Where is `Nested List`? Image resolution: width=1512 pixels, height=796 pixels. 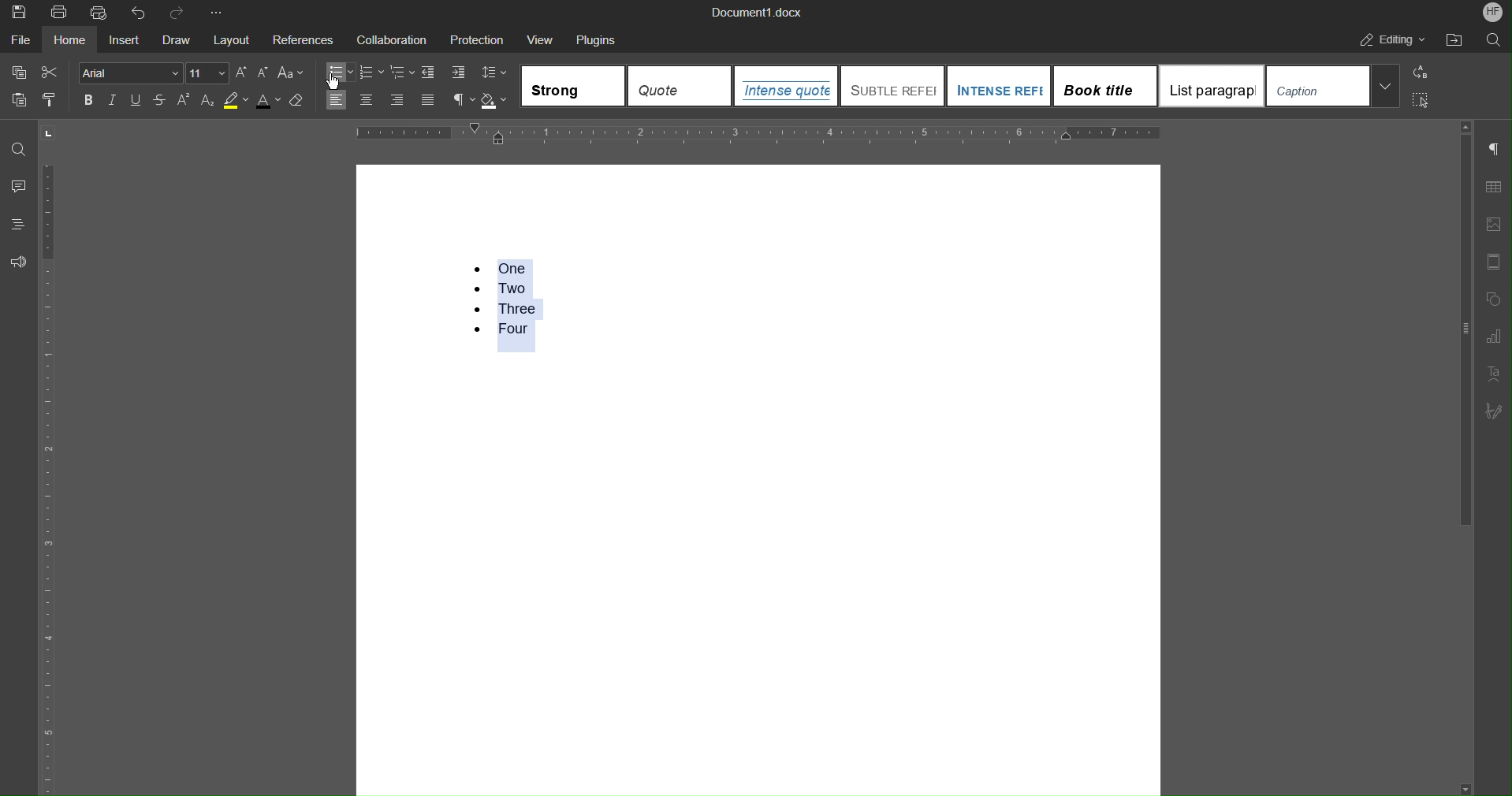 Nested List is located at coordinates (403, 73).